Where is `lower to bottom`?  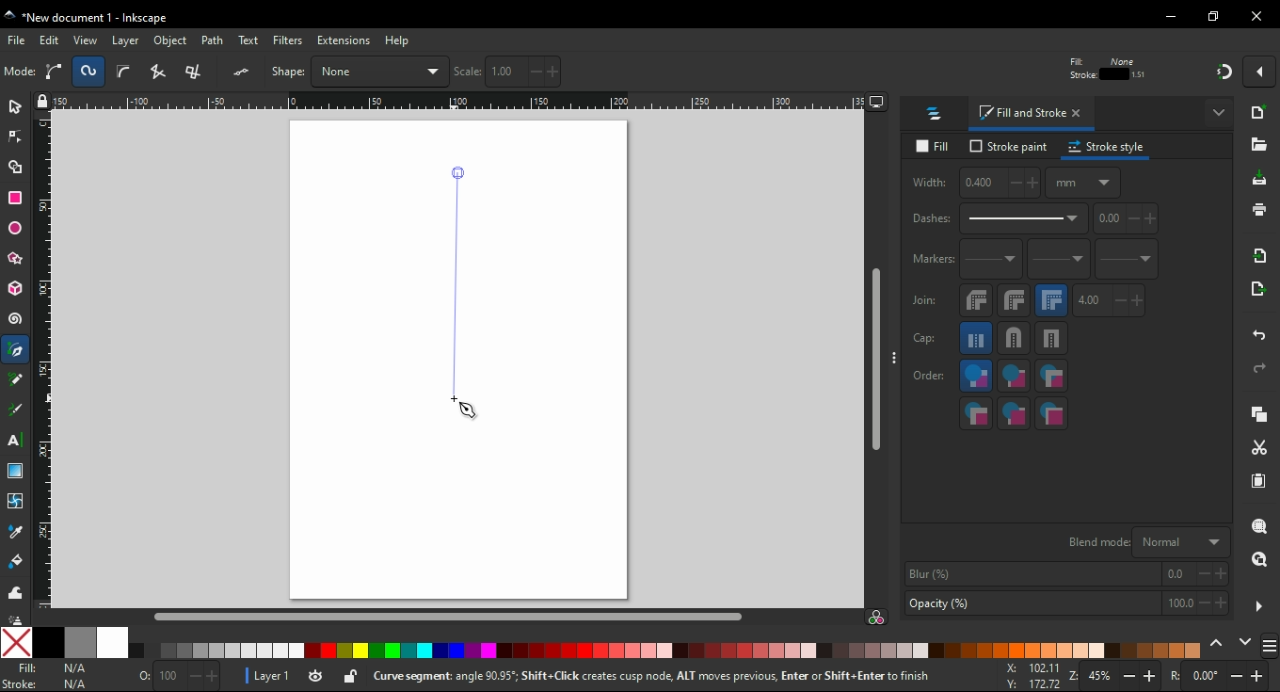 lower to bottom is located at coordinates (430, 72).